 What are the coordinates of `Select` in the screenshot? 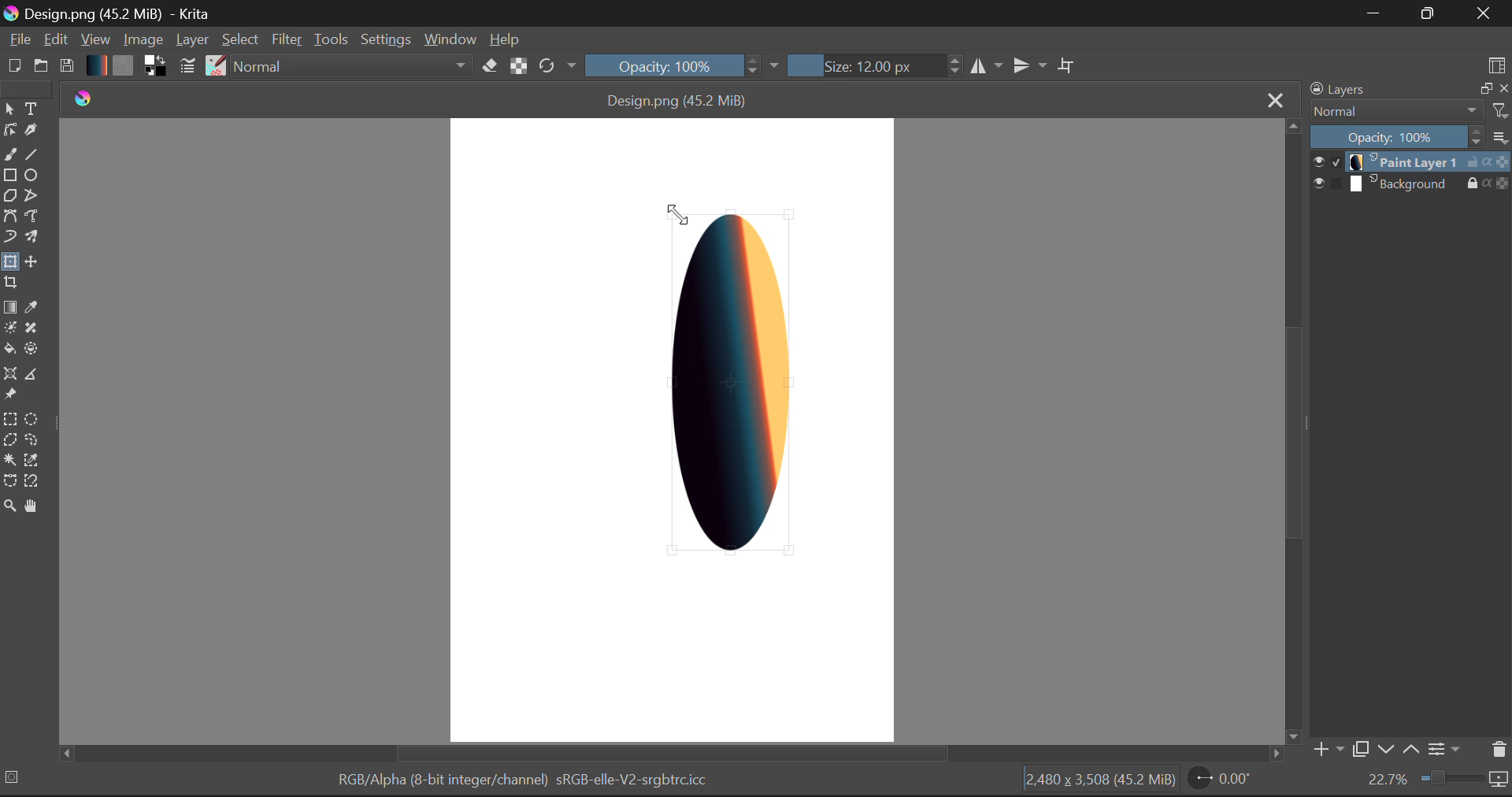 It's located at (9, 108).